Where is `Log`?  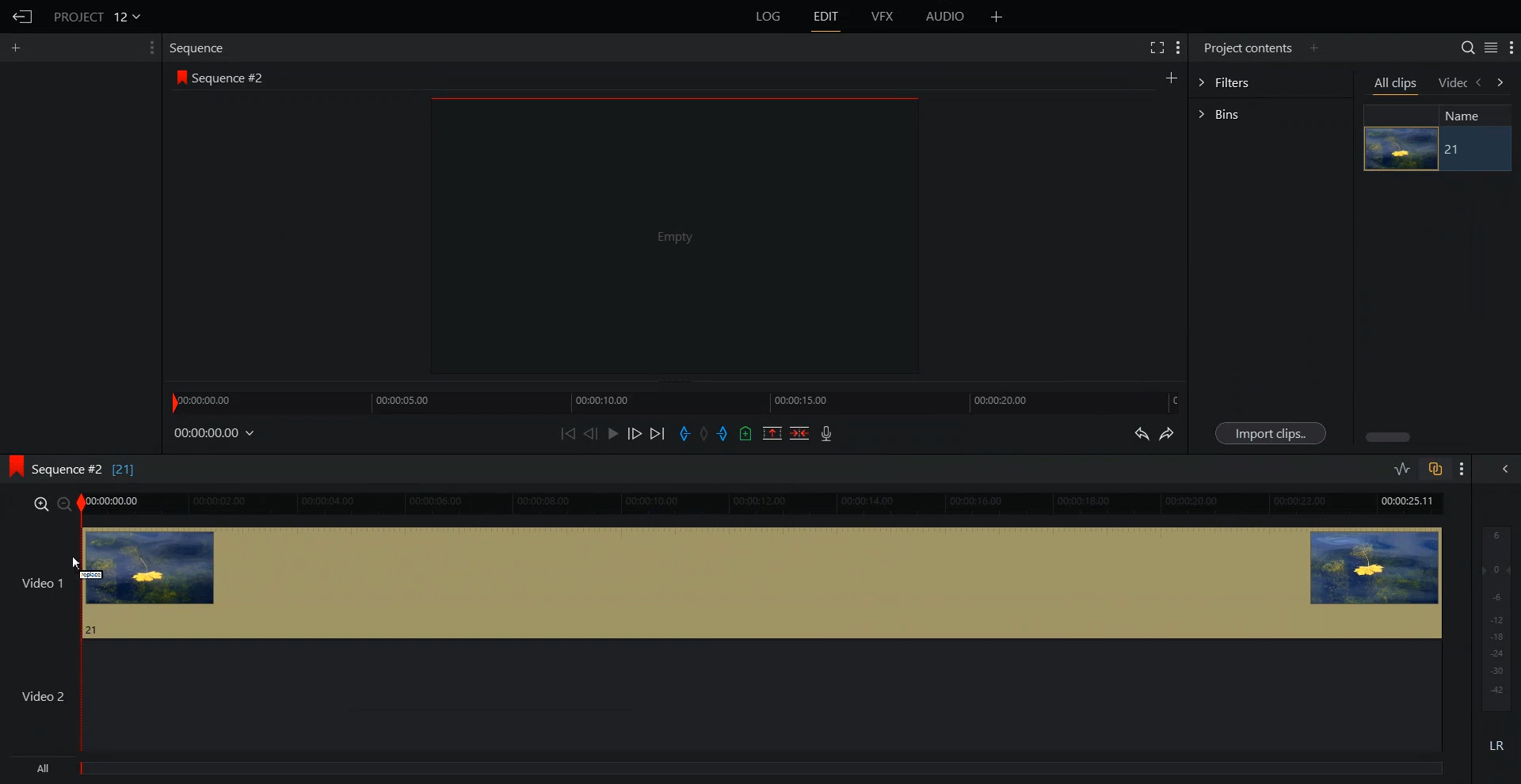 Log is located at coordinates (768, 17).